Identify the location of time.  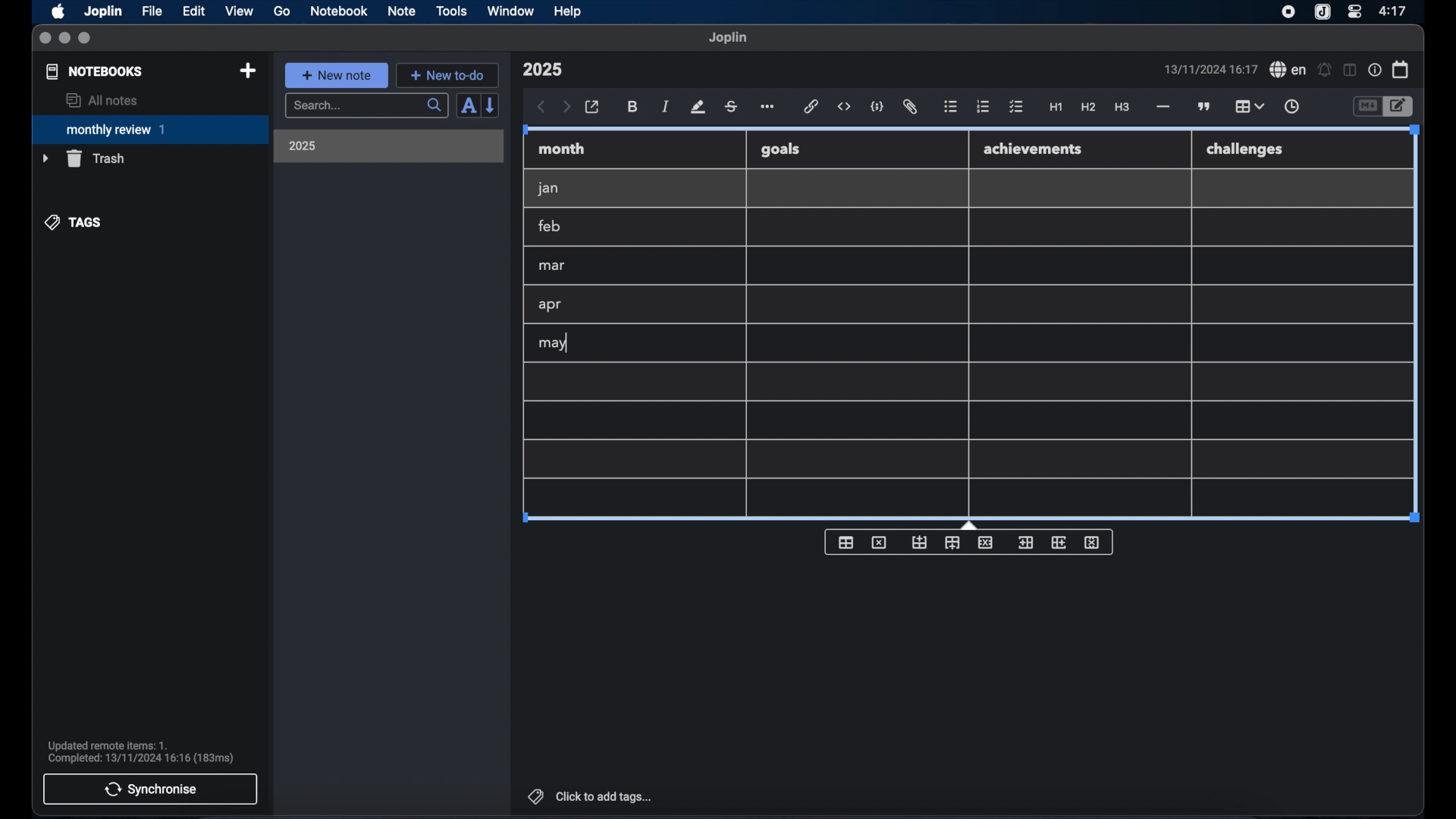
(1395, 11).